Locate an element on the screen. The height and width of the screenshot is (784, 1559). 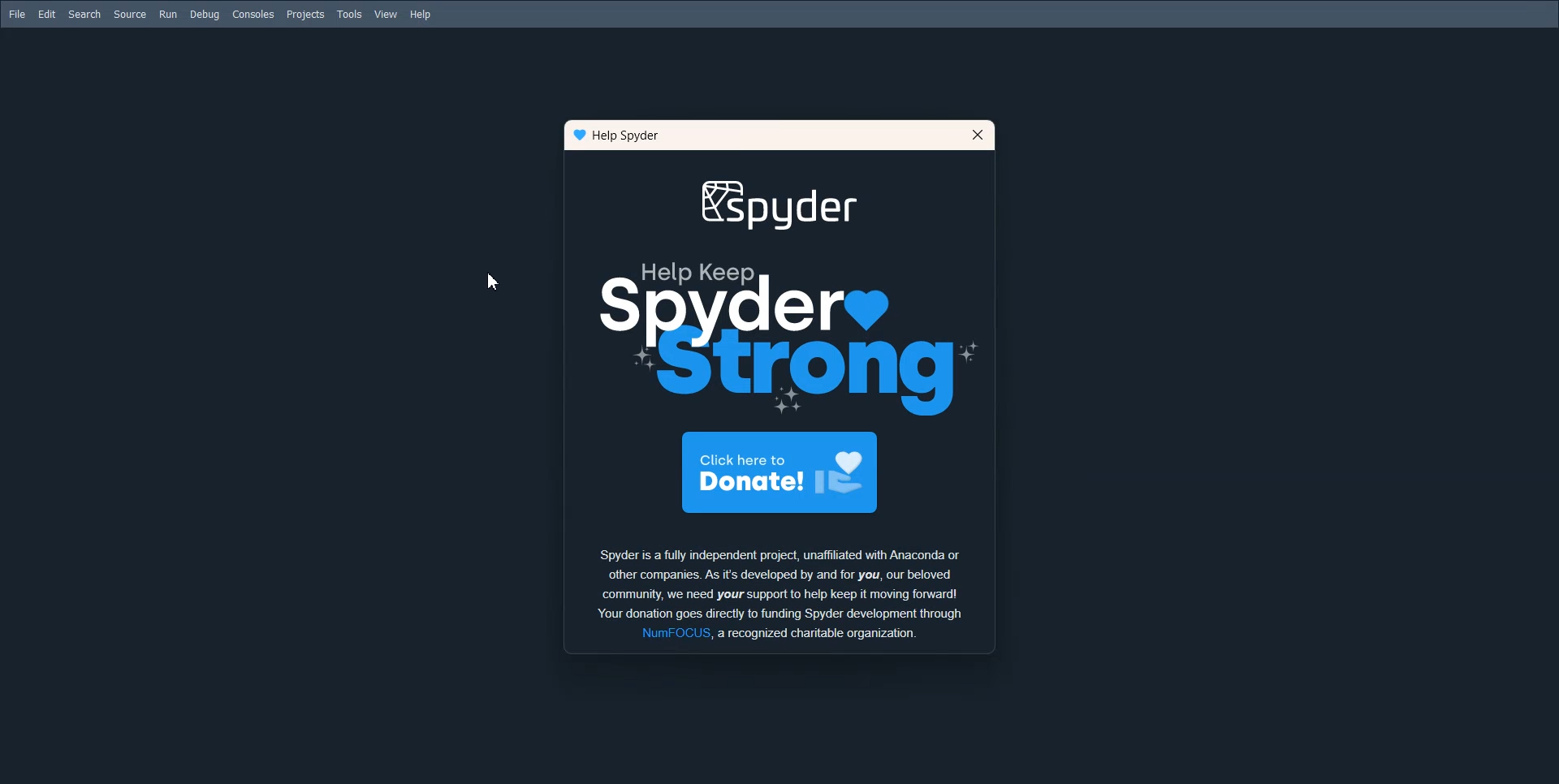
Projects is located at coordinates (306, 15).